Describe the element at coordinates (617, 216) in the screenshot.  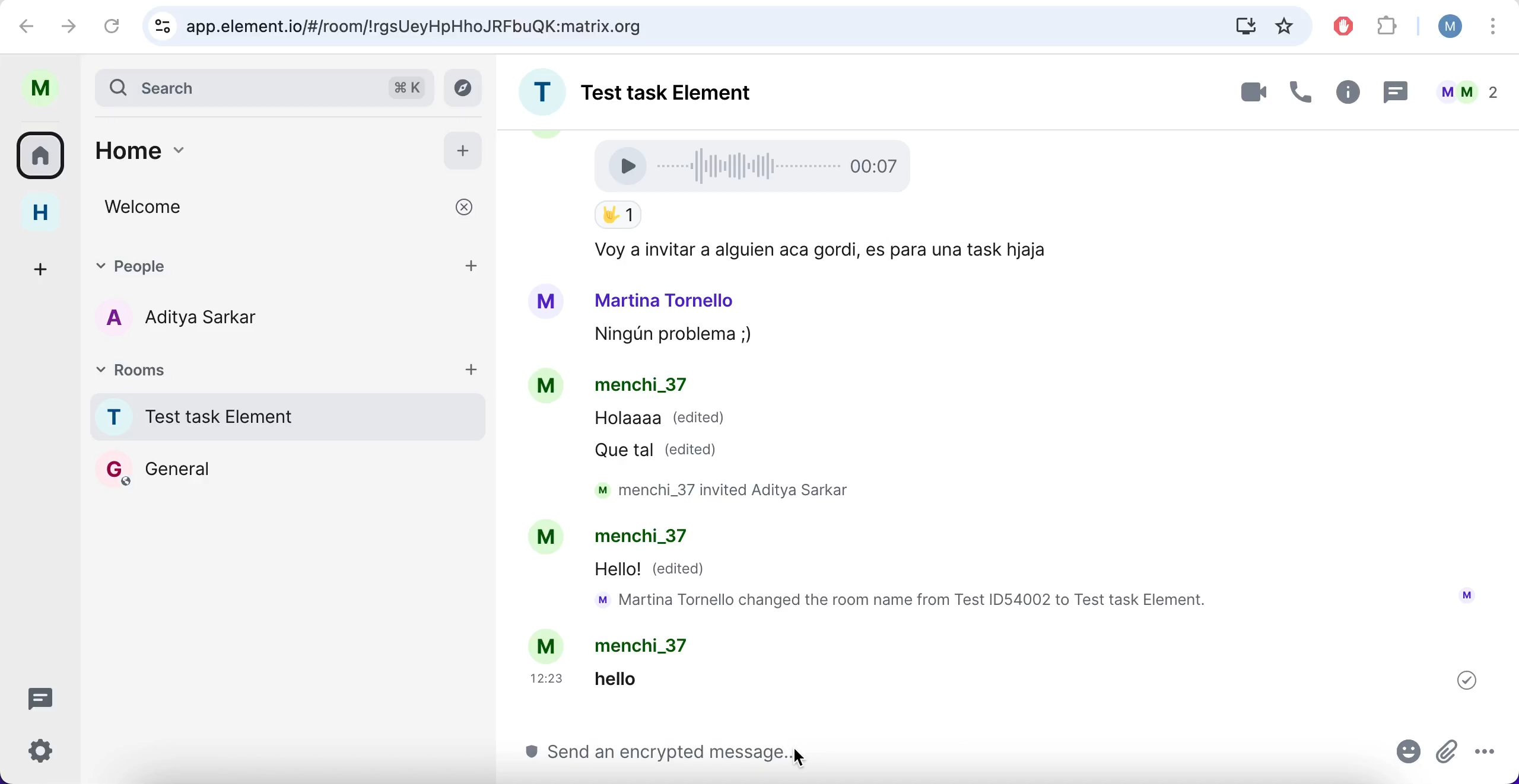
I see `Thumbs up Emoji` at that location.